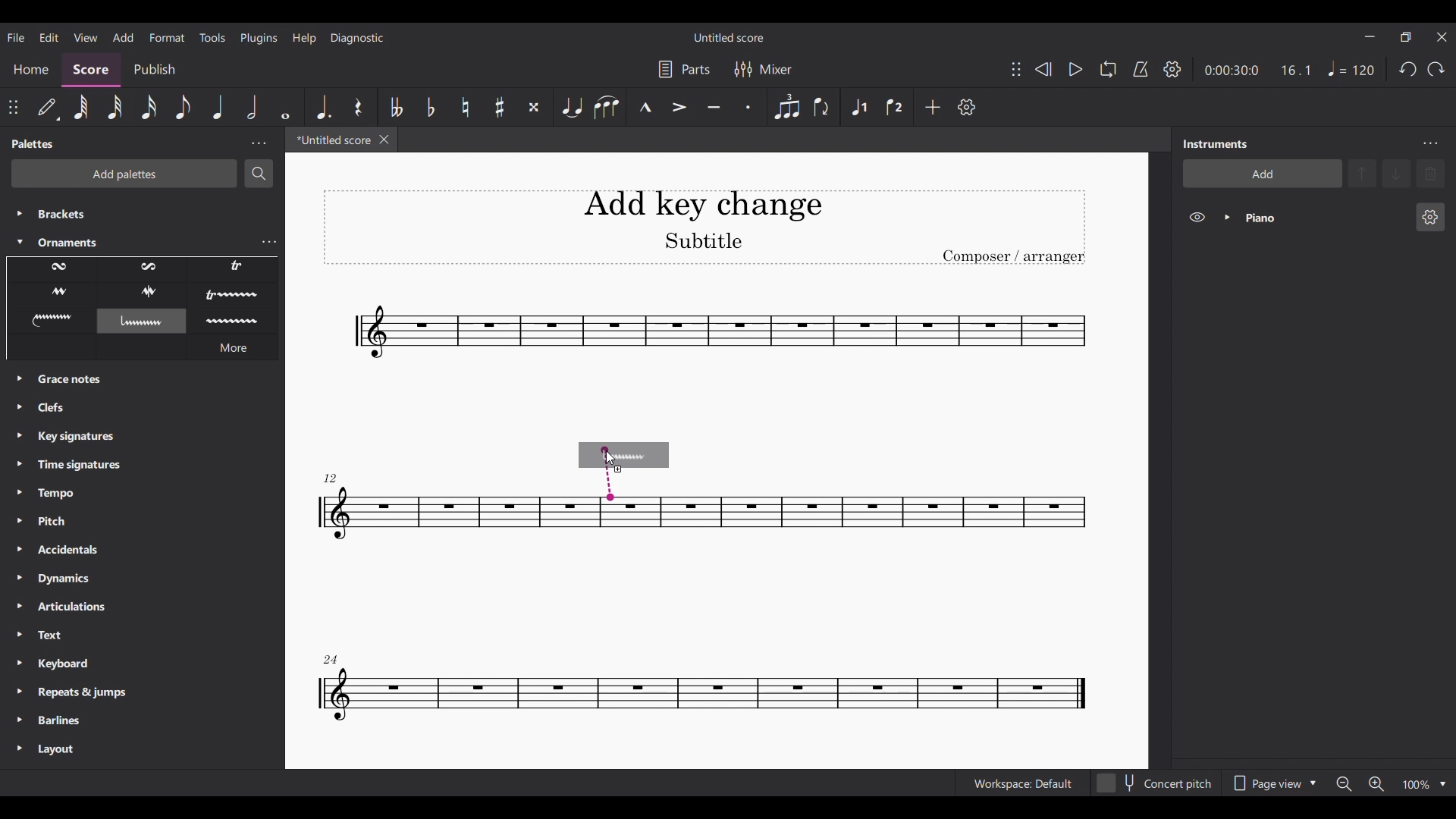 Image resolution: width=1456 pixels, height=819 pixels. I want to click on Minimize, so click(1370, 36).